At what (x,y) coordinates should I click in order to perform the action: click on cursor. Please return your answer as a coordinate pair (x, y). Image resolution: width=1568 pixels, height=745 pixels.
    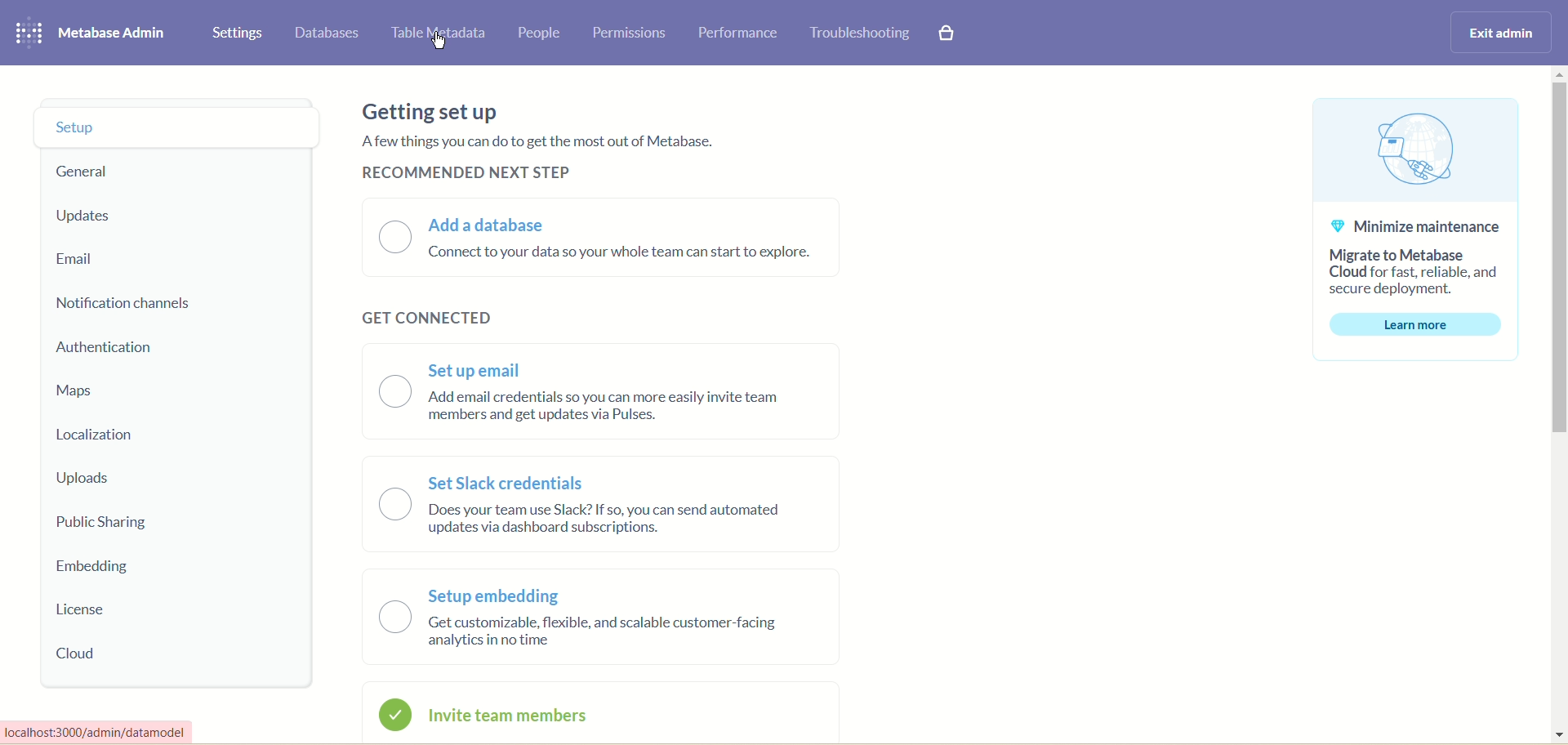
    Looking at the image, I should click on (441, 41).